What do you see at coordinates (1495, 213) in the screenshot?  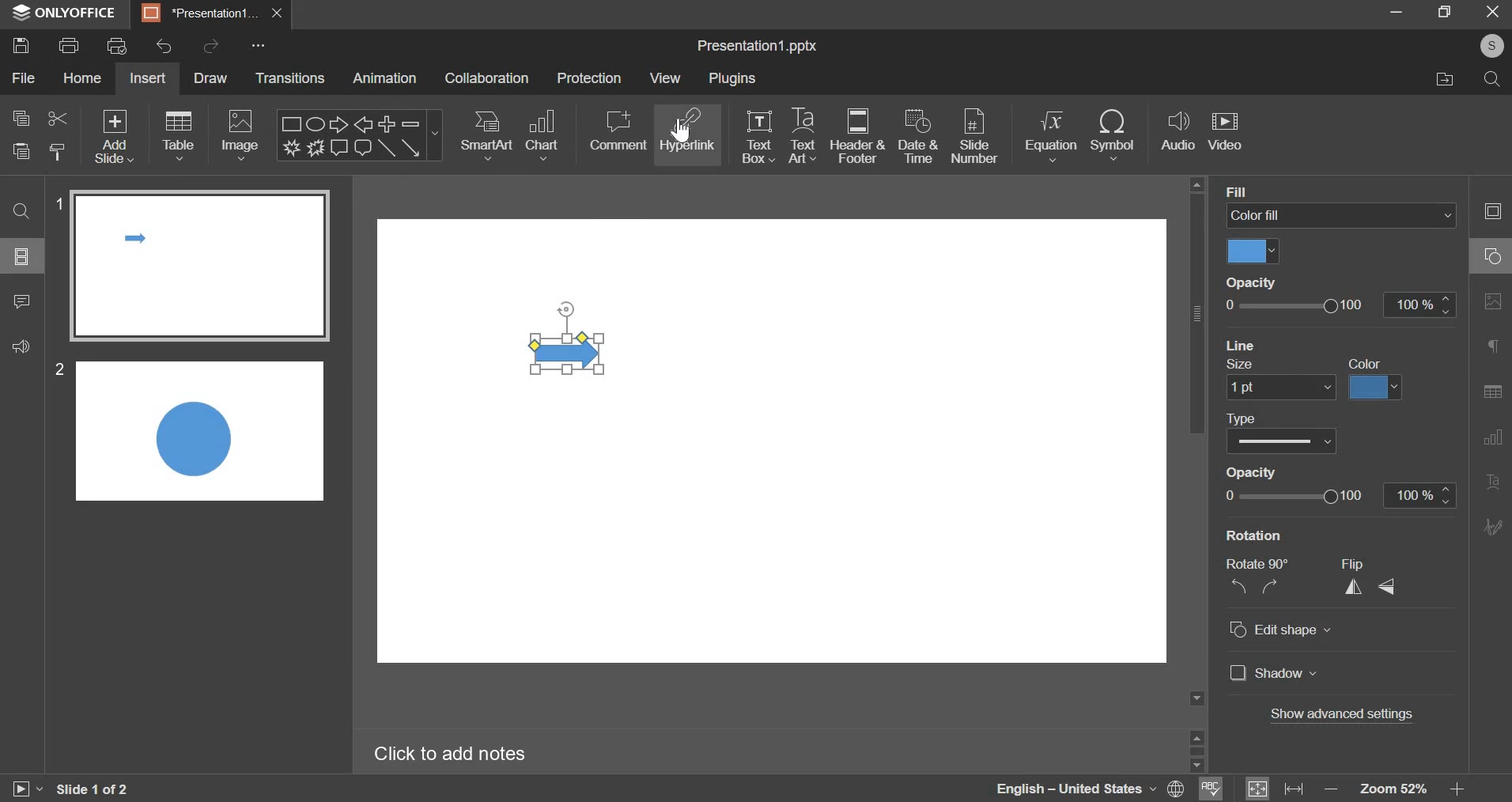 I see `Slide settings` at bounding box center [1495, 213].